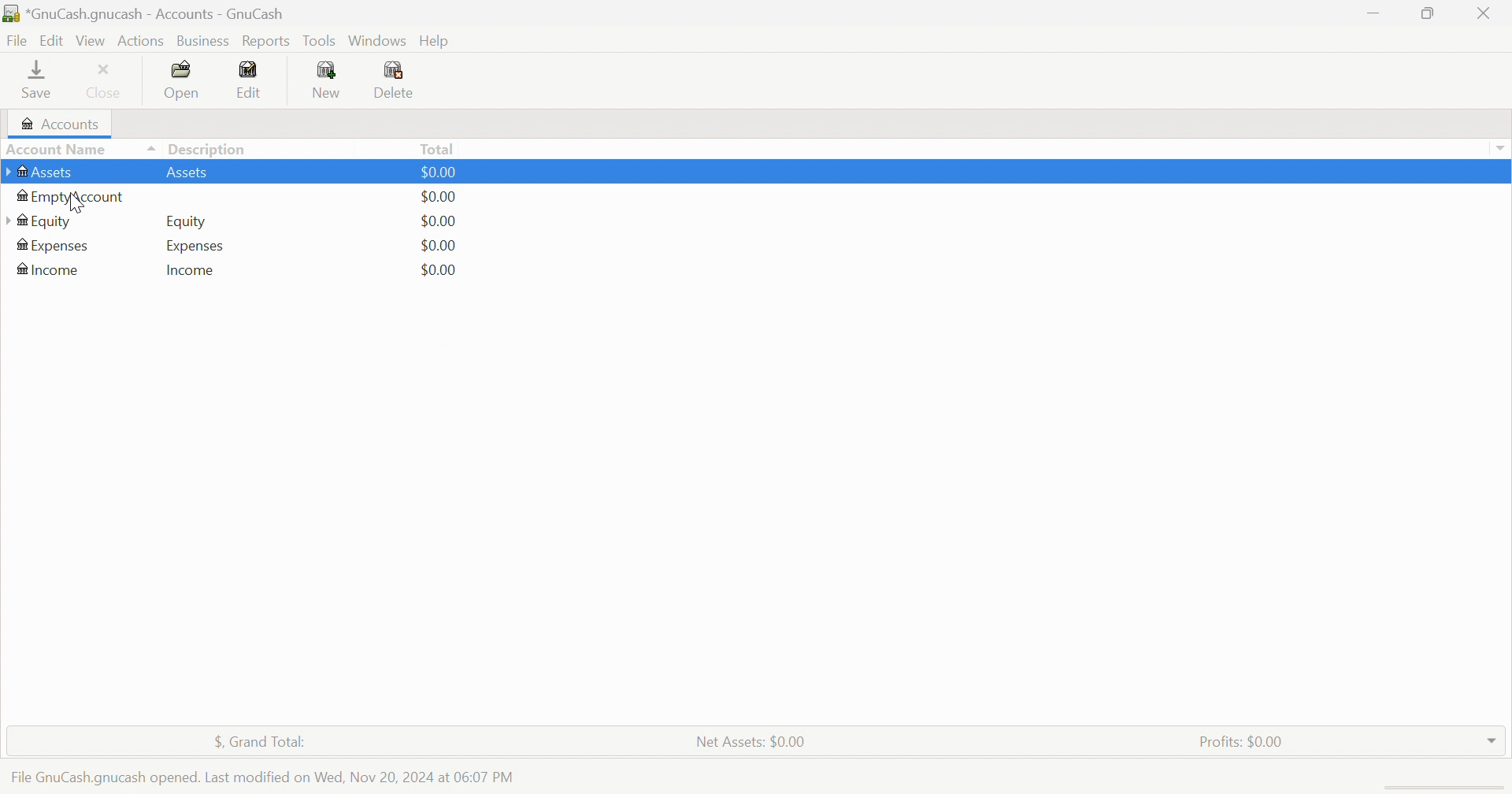  Describe the element at coordinates (210, 149) in the screenshot. I see `Description` at that location.